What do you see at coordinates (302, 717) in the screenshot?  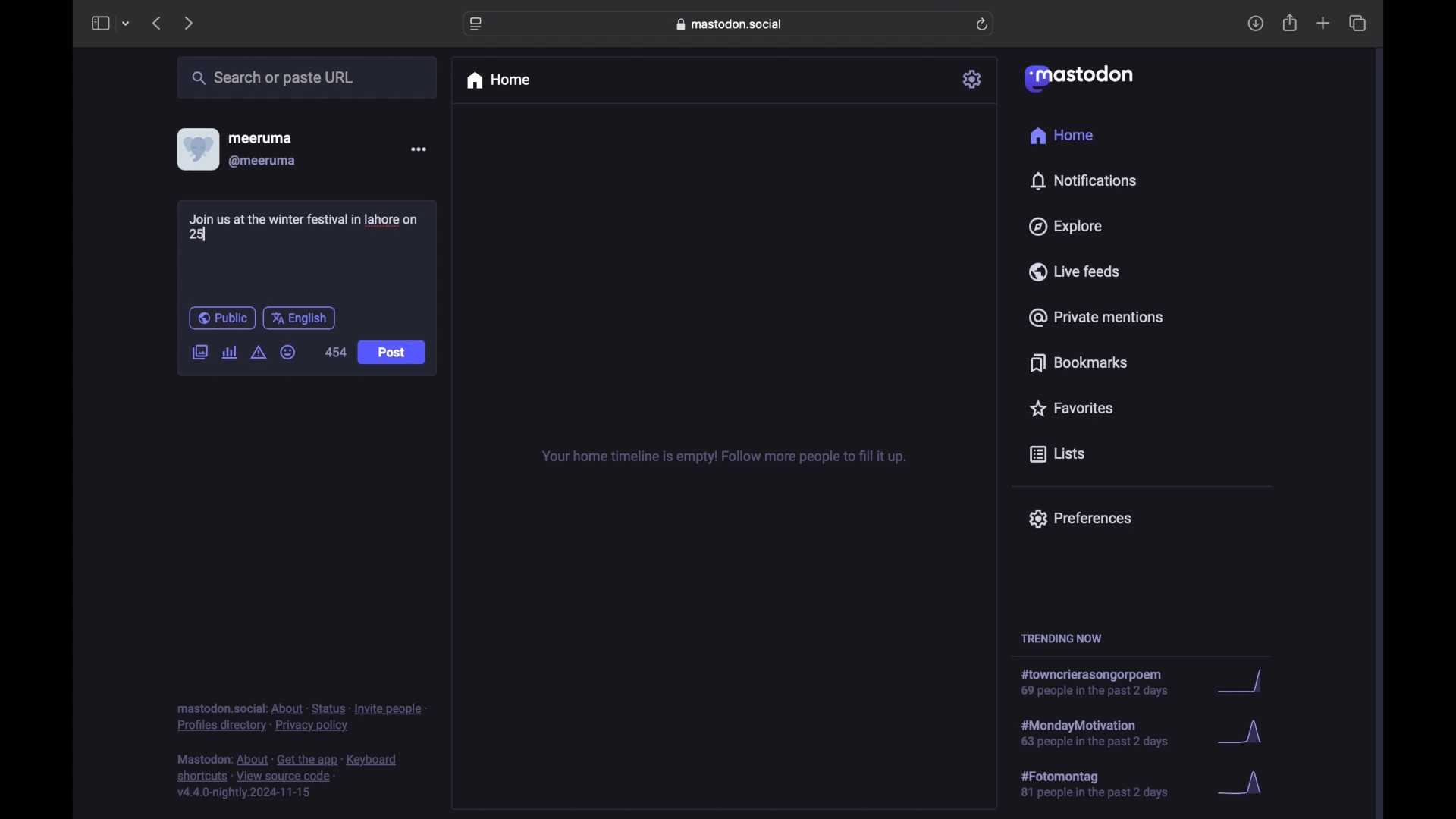 I see `footnote` at bounding box center [302, 717].